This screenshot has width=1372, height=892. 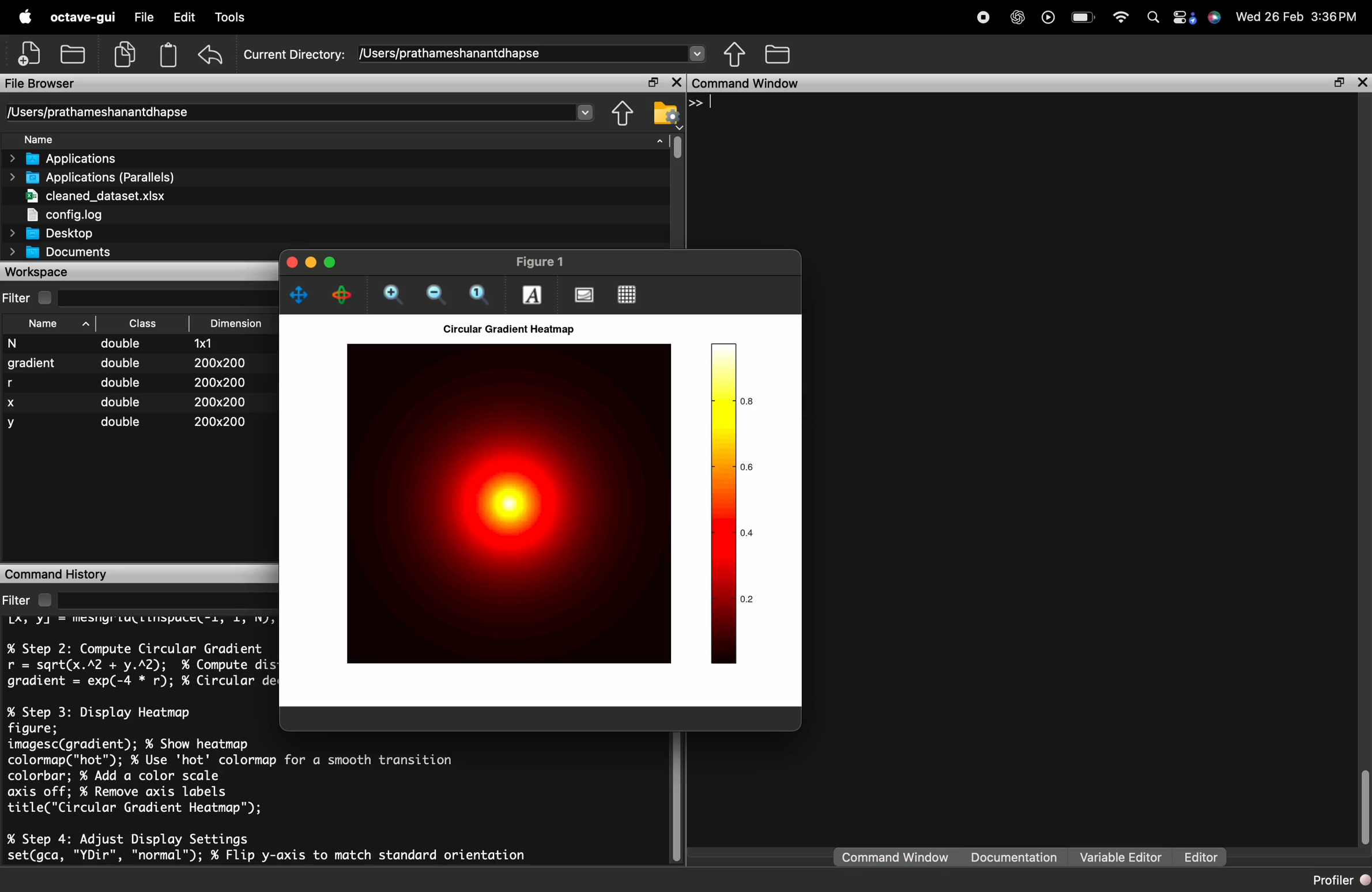 I want to click on Browse directories, so click(x=622, y=115).